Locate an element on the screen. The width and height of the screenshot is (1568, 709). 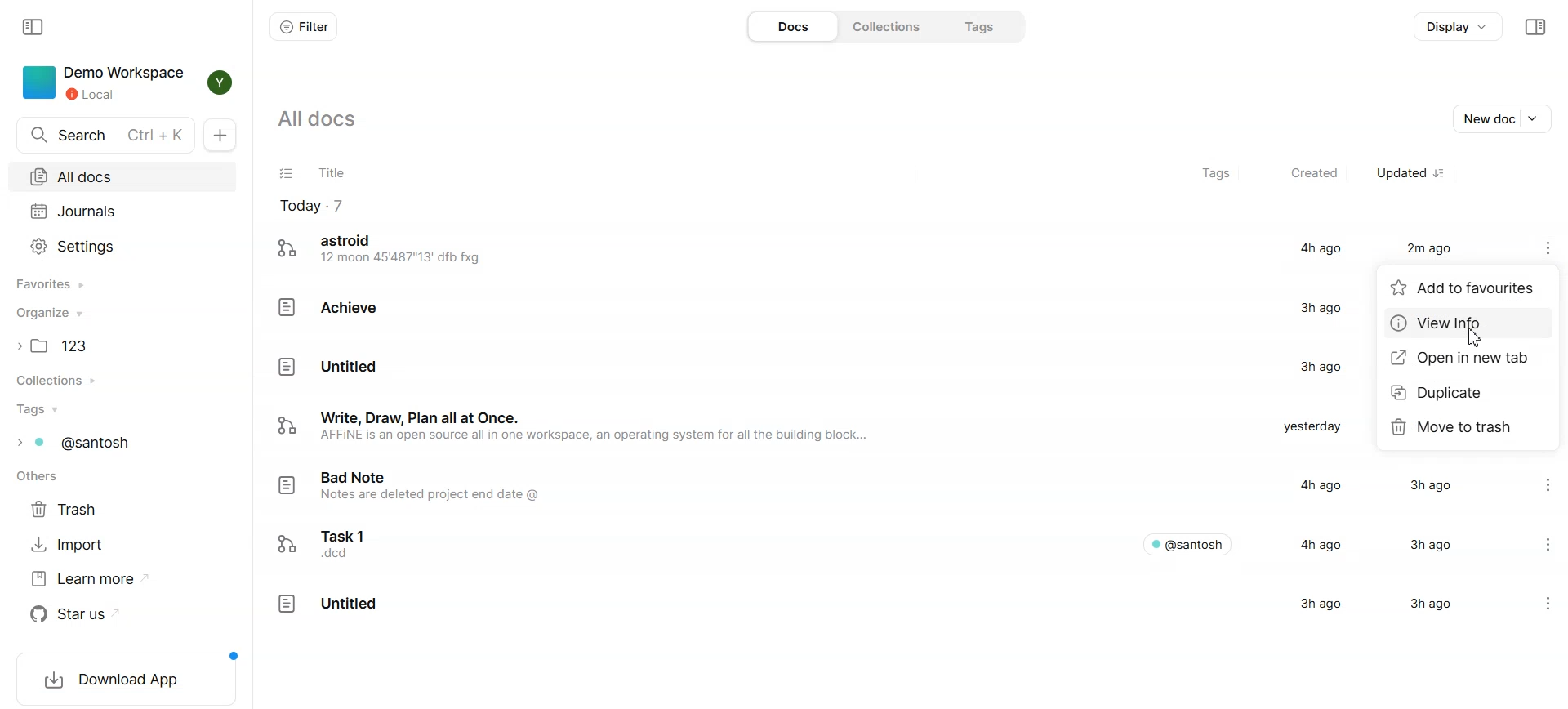
Cursor view info is located at coordinates (1474, 337).